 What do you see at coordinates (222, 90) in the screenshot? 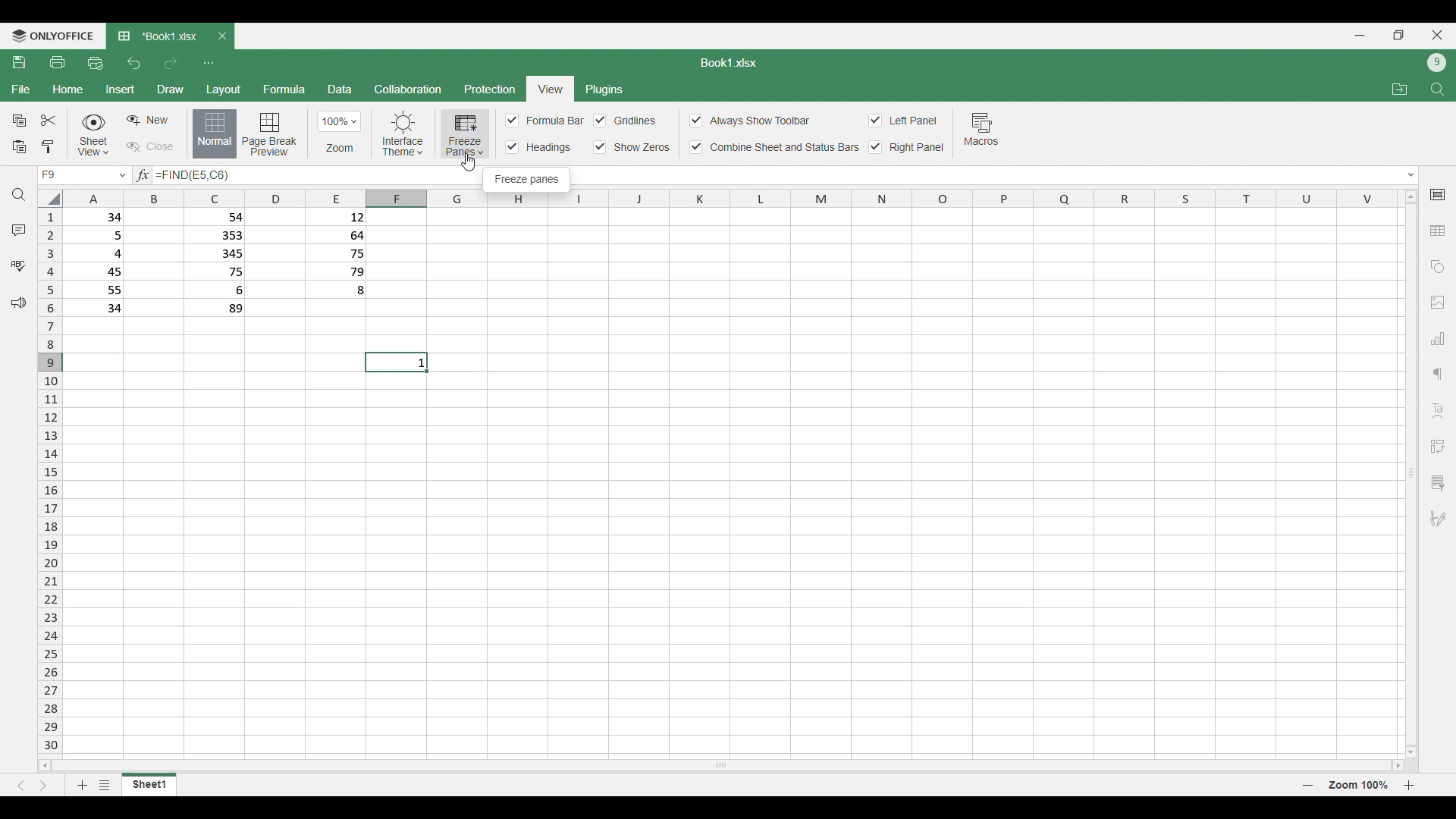
I see `Layout menu` at bounding box center [222, 90].